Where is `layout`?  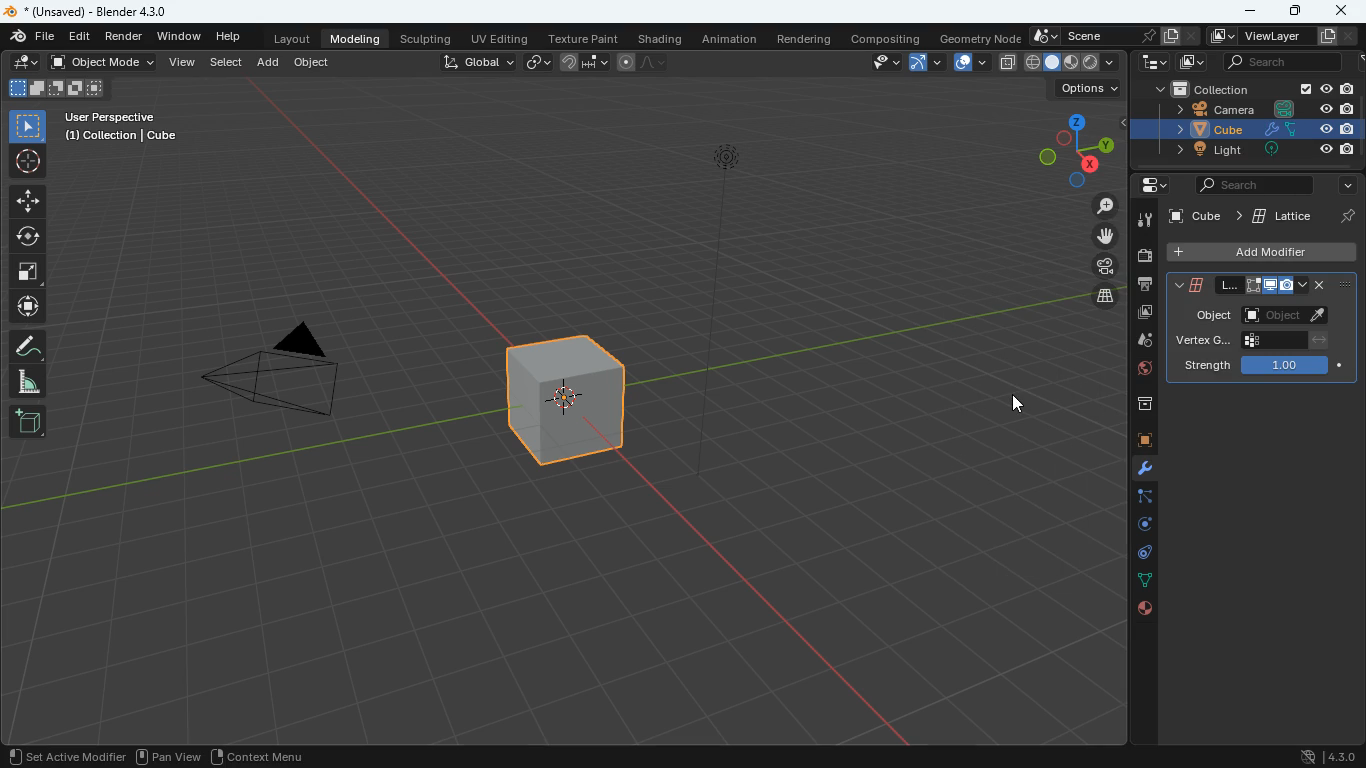
layout is located at coordinates (292, 37).